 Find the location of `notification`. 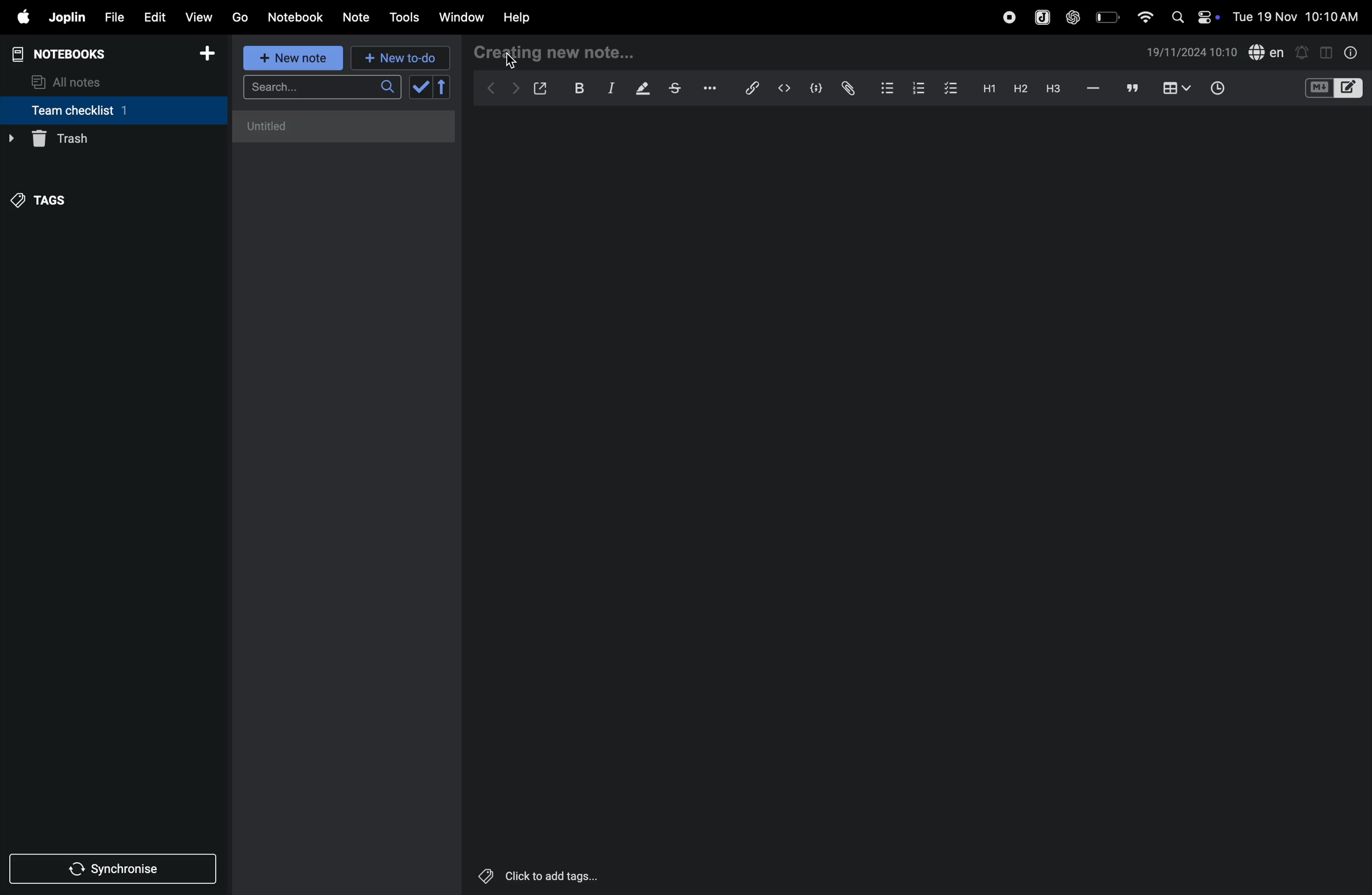

notification is located at coordinates (1301, 51).